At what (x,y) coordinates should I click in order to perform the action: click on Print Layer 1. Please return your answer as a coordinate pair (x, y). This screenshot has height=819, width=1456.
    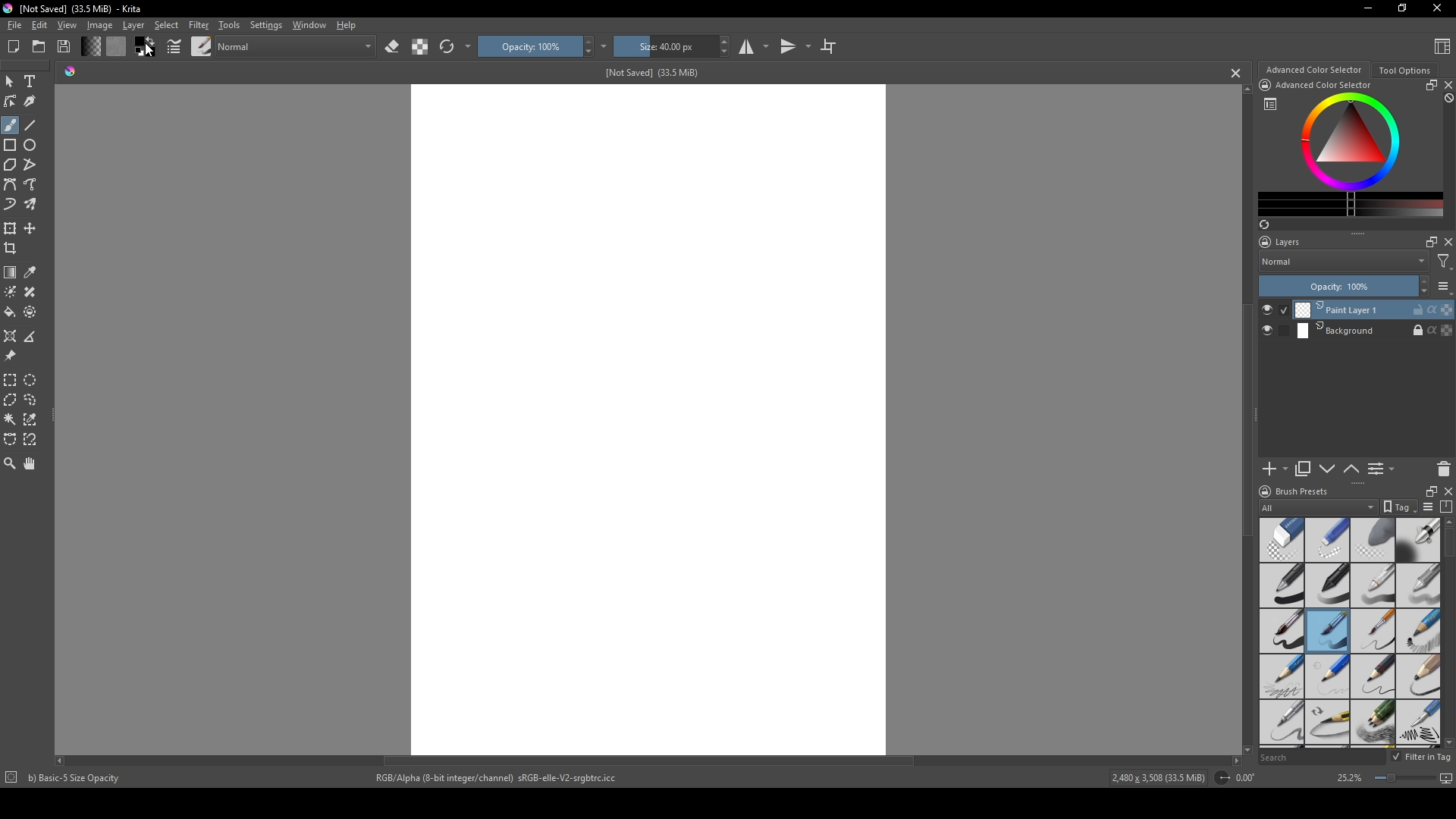
    Looking at the image, I should click on (1373, 309).